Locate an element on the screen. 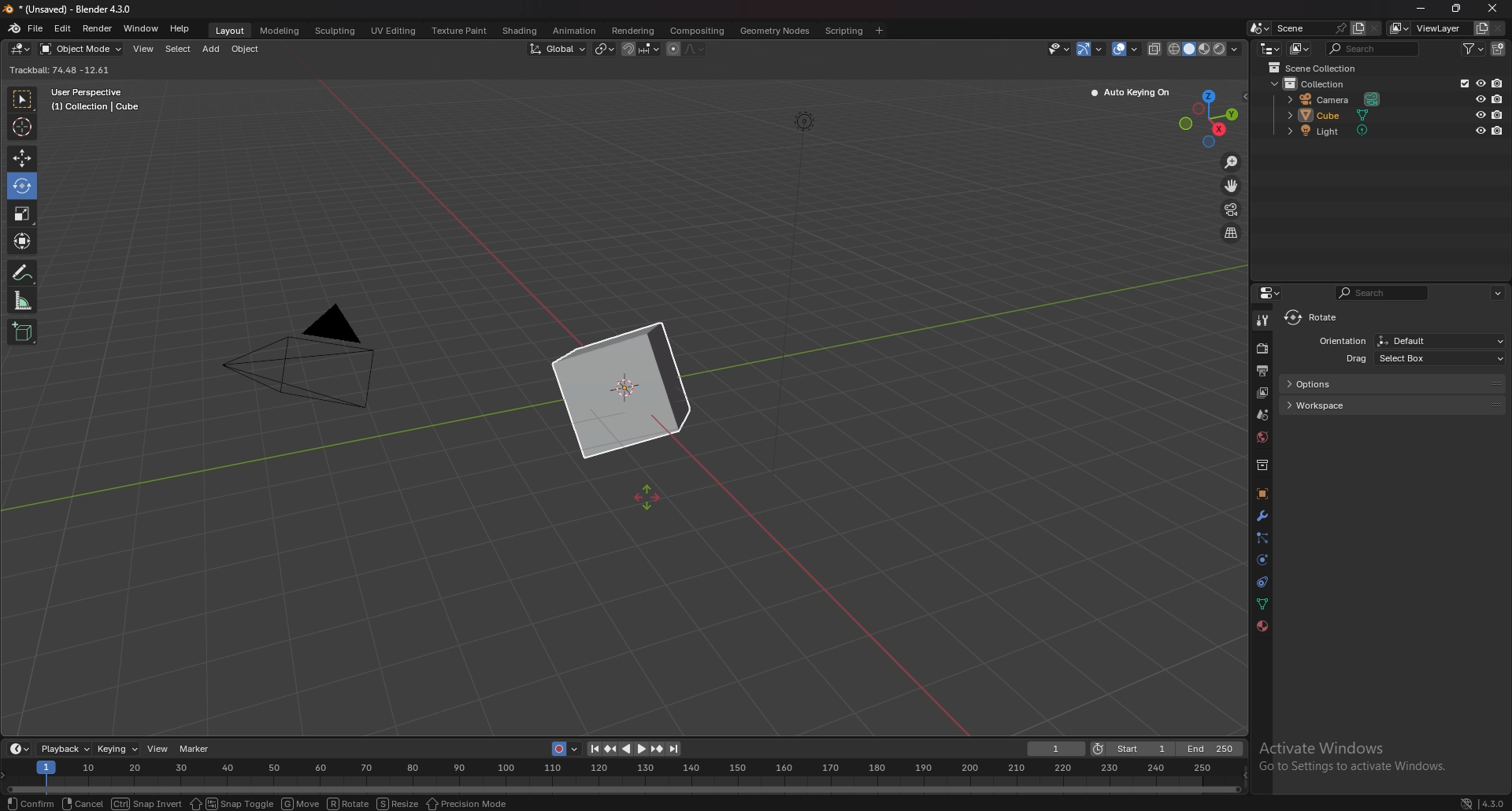 This screenshot has width=1512, height=811. add is located at coordinates (211, 50).